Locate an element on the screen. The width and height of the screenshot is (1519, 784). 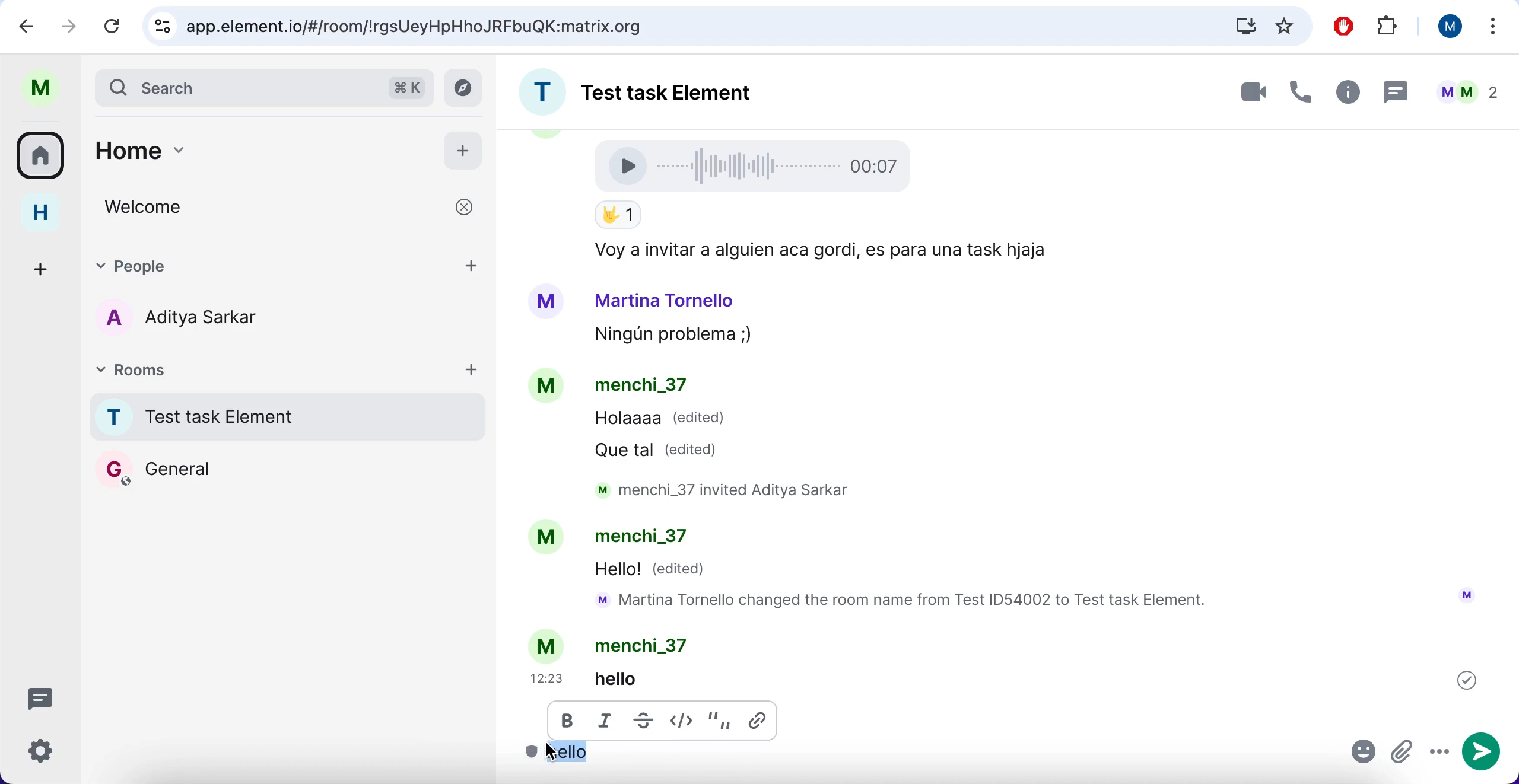
User Icon is located at coordinates (1467, 595).